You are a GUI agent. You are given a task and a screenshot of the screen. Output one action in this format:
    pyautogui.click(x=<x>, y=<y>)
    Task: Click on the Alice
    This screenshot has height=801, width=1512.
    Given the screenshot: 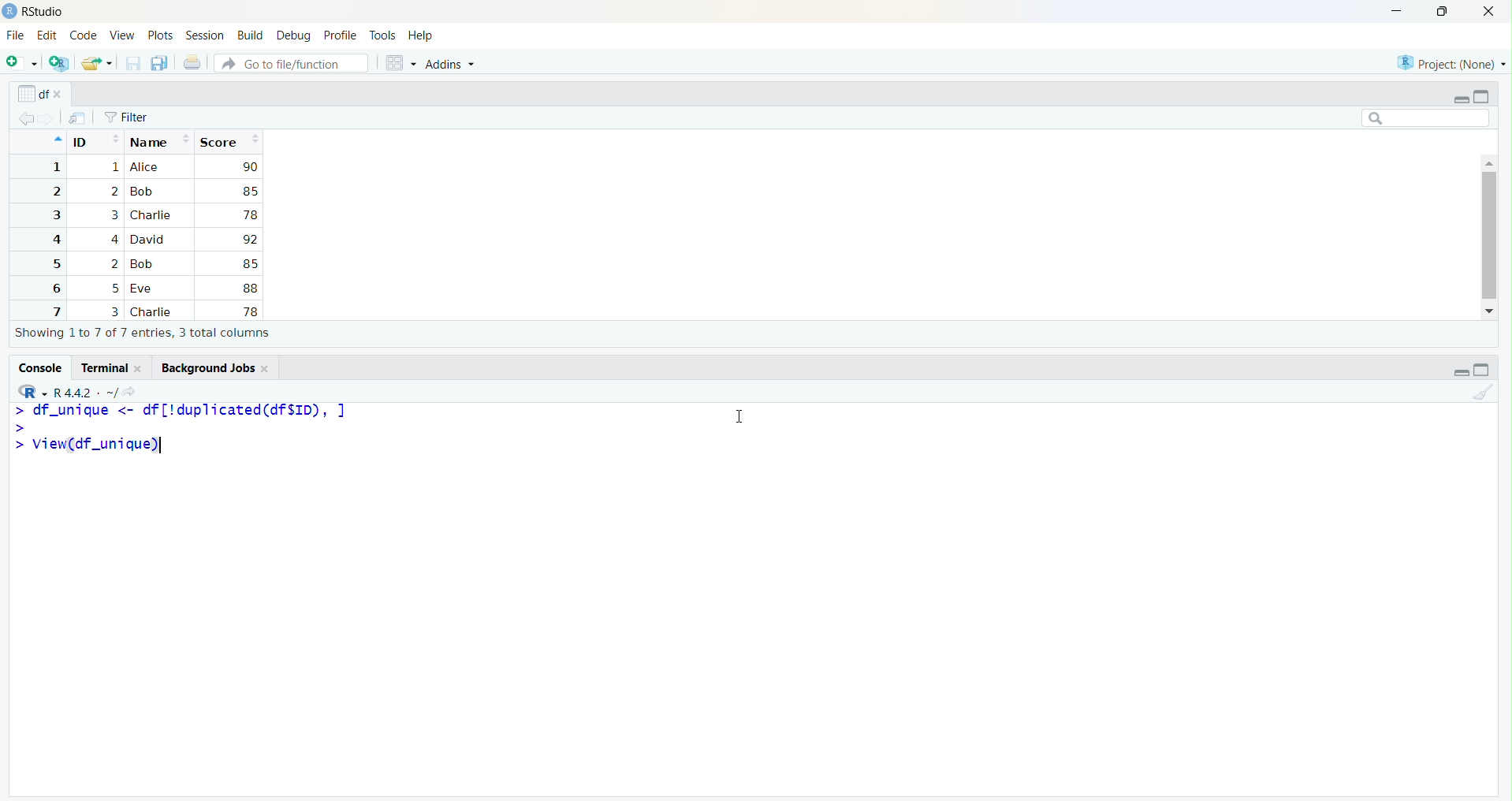 What is the action you would take?
    pyautogui.click(x=147, y=167)
    